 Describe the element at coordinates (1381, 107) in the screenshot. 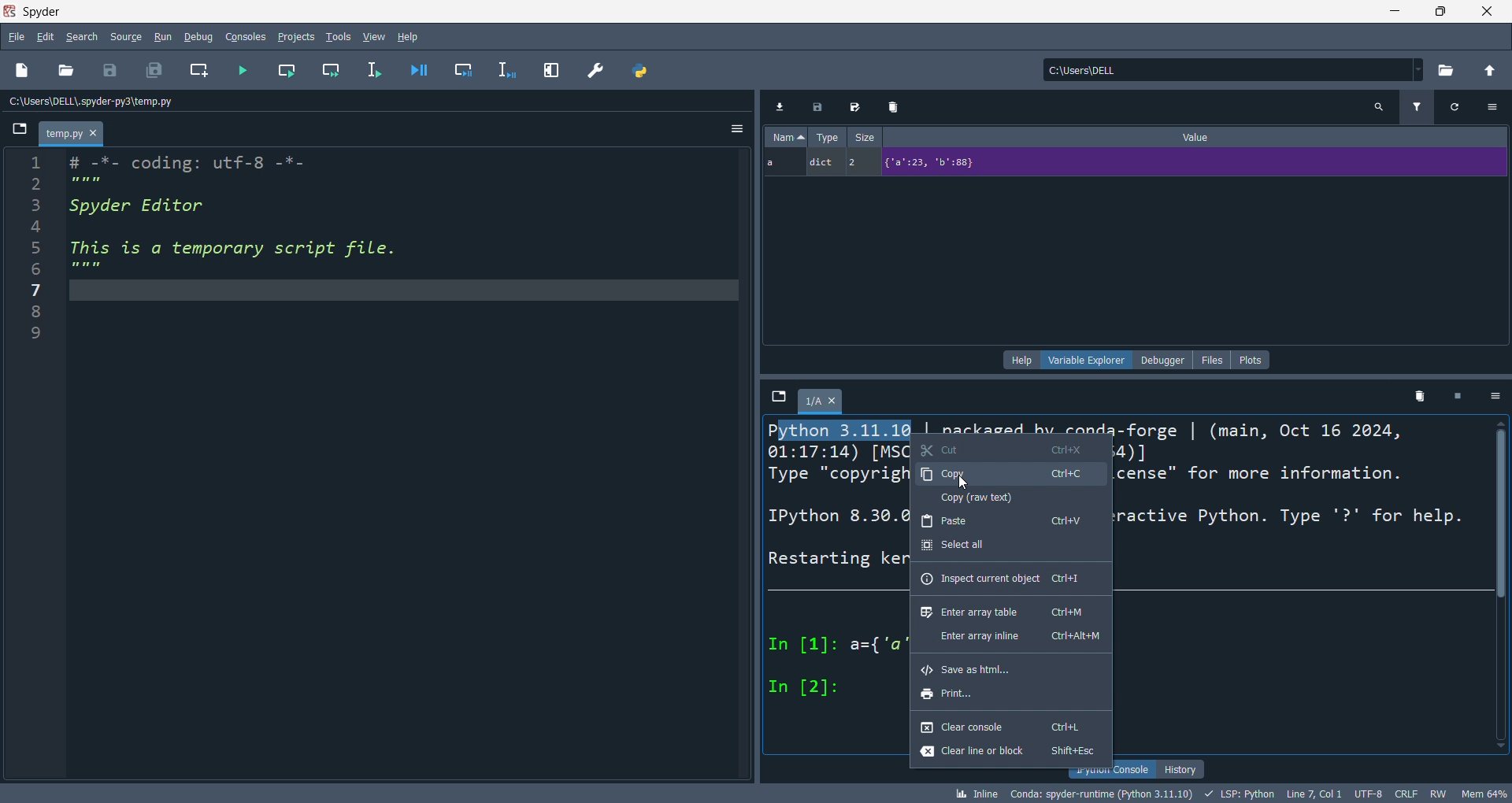

I see `search` at that location.